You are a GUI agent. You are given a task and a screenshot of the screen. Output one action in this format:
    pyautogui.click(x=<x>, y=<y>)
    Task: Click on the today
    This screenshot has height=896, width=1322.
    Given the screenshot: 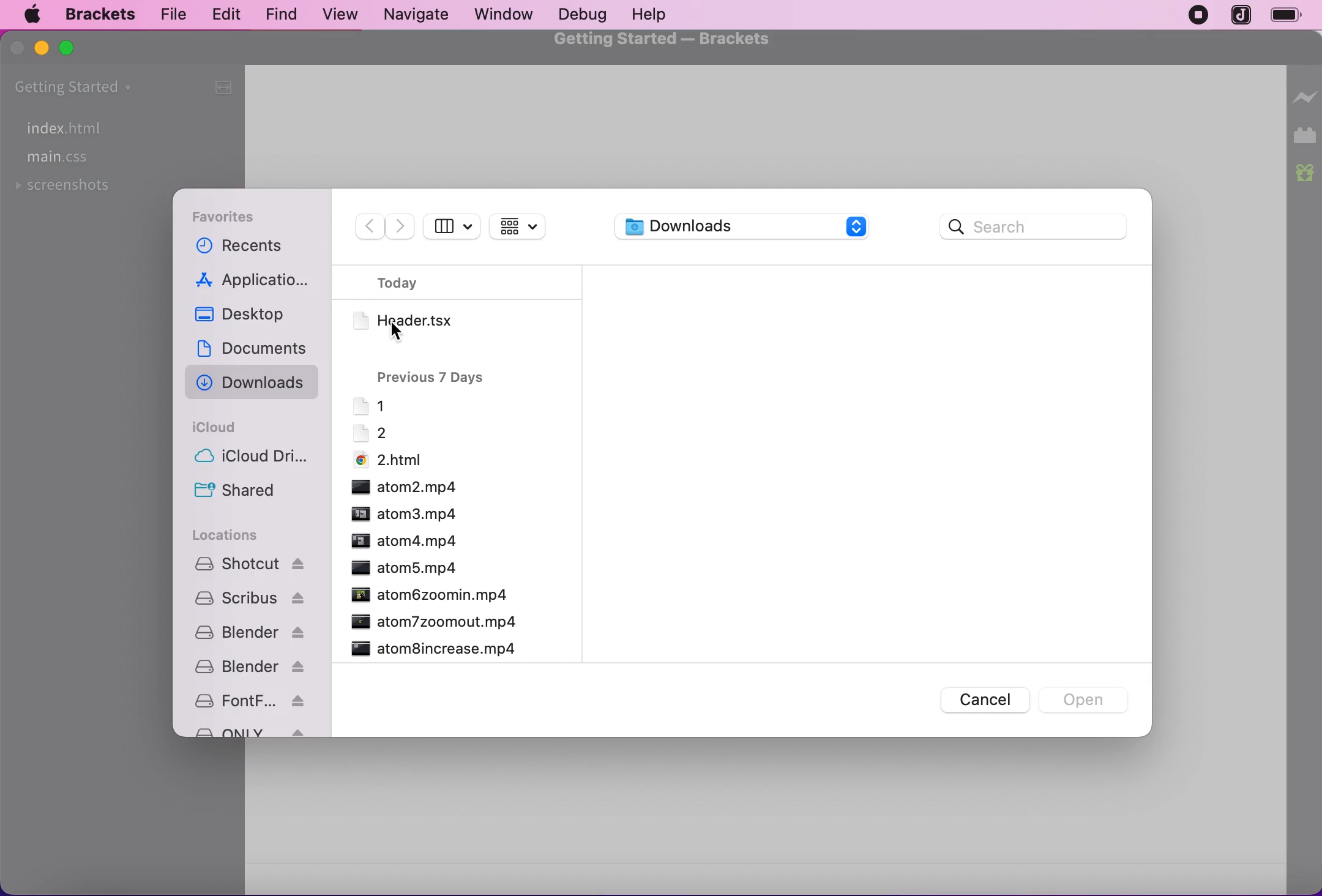 What is the action you would take?
    pyautogui.click(x=411, y=283)
    